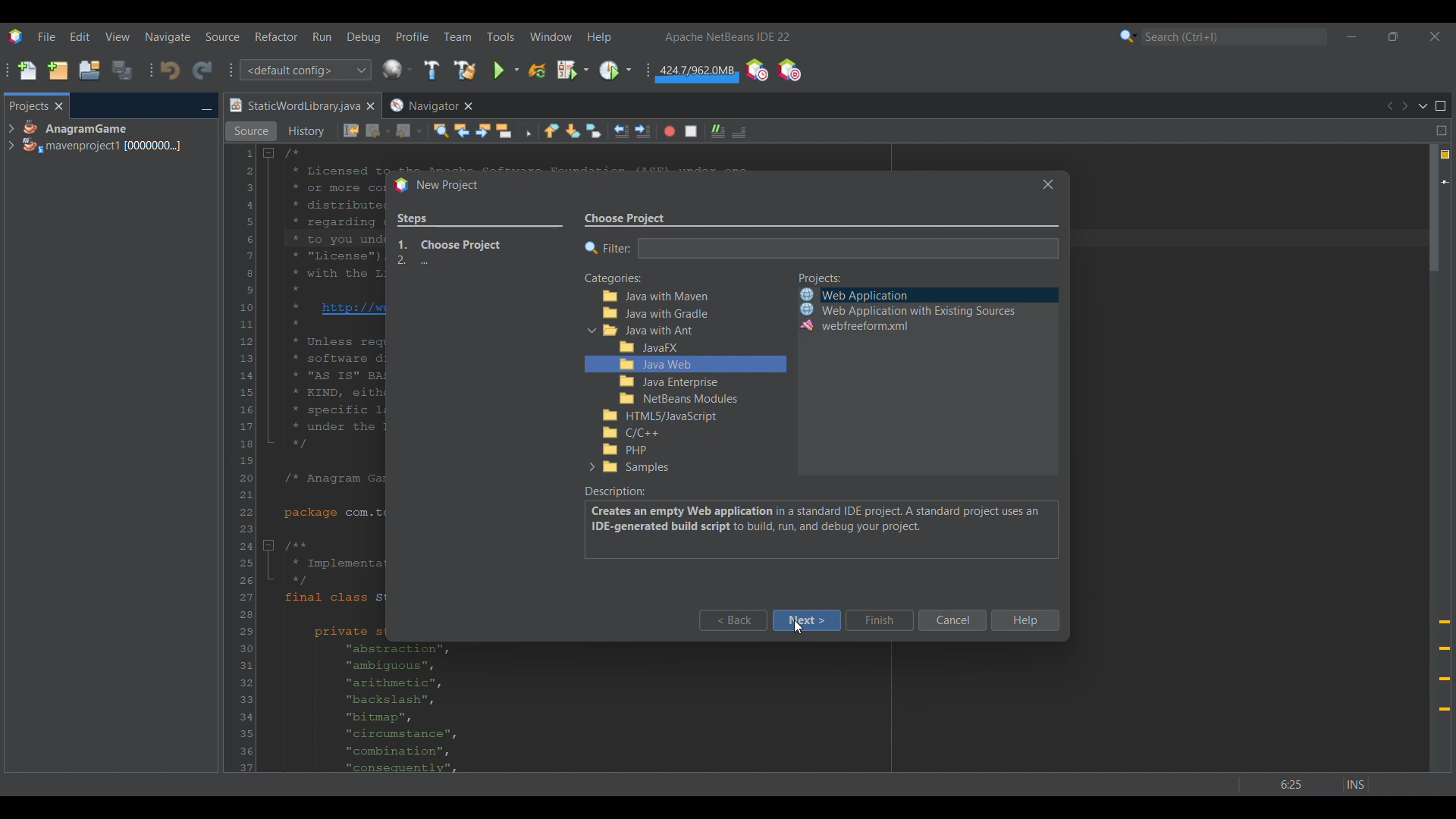 The image size is (1456, 819). Describe the element at coordinates (413, 36) in the screenshot. I see `Profile menu` at that location.